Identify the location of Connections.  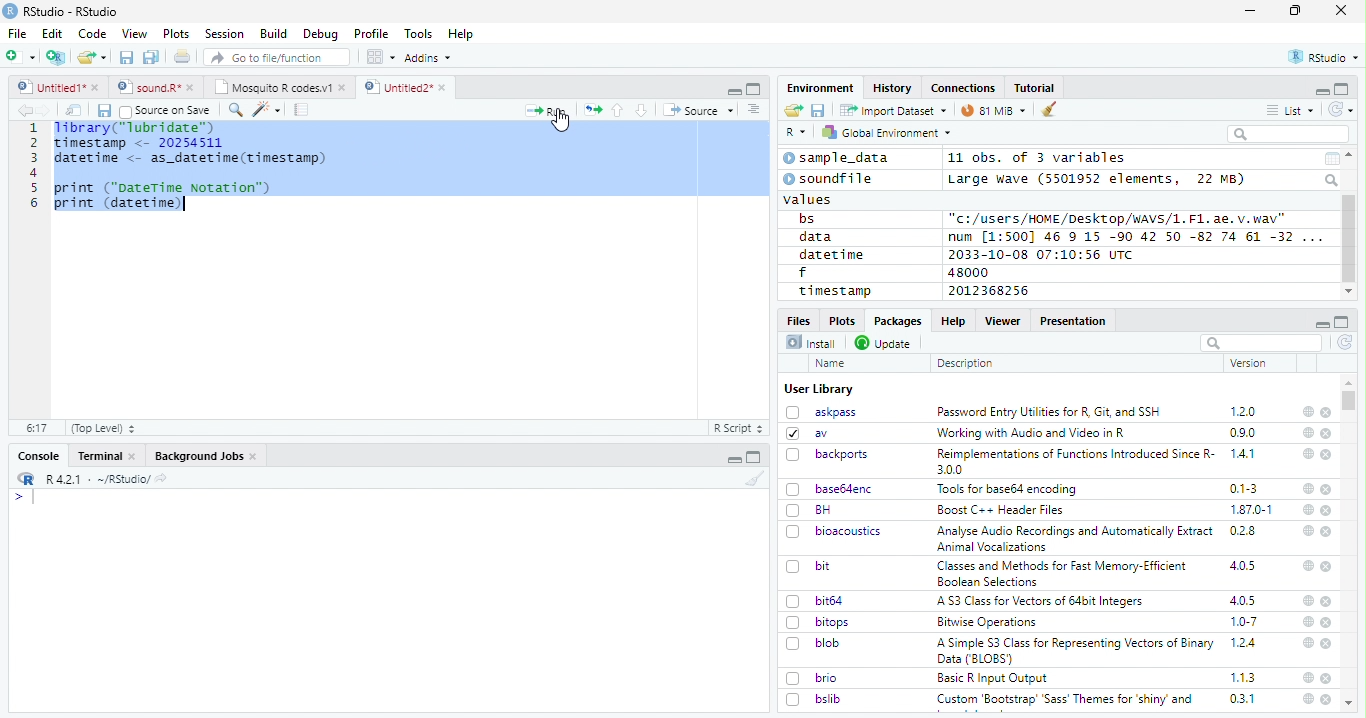
(962, 88).